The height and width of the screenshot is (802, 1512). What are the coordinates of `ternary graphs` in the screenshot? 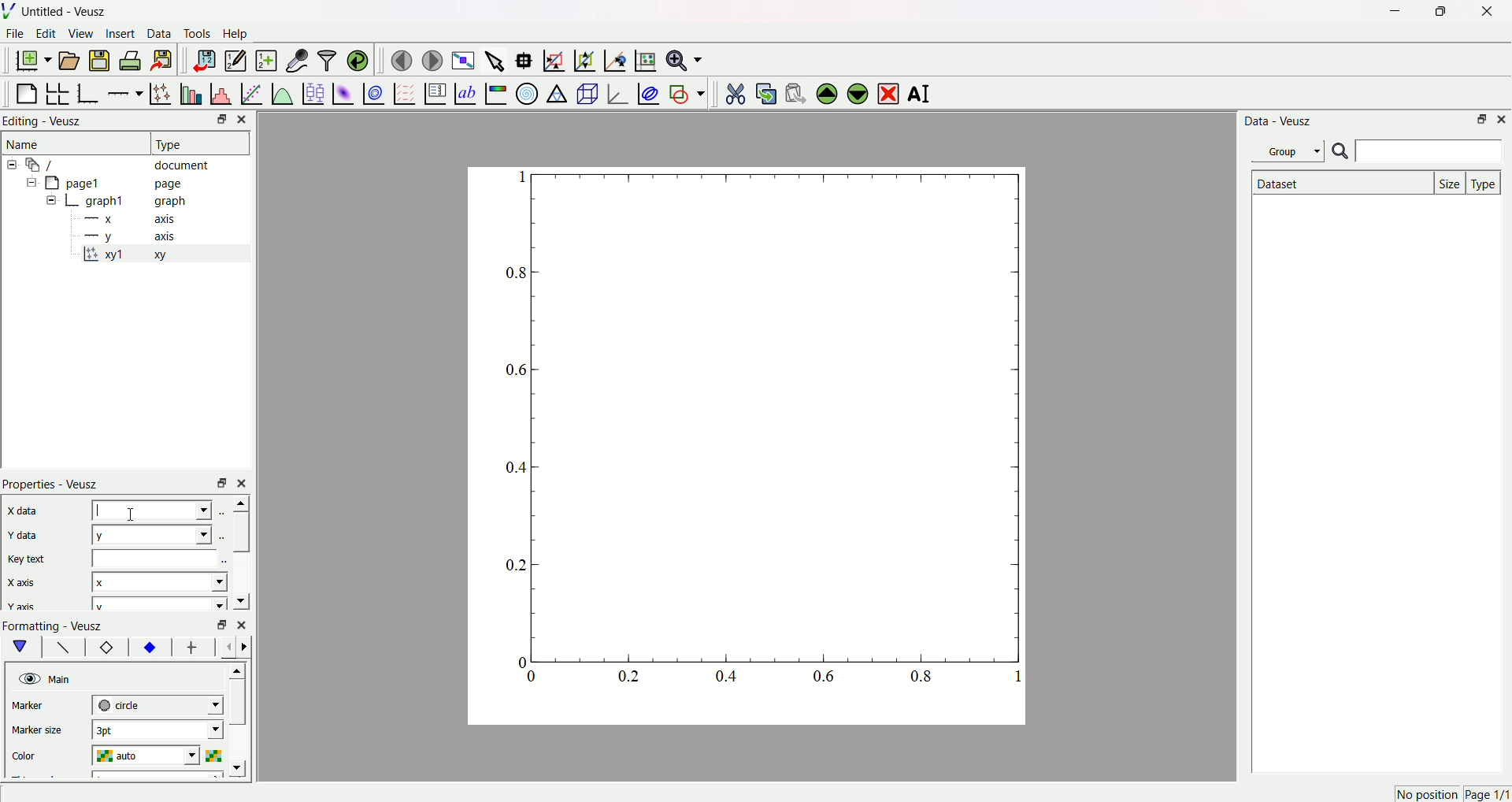 It's located at (556, 91).